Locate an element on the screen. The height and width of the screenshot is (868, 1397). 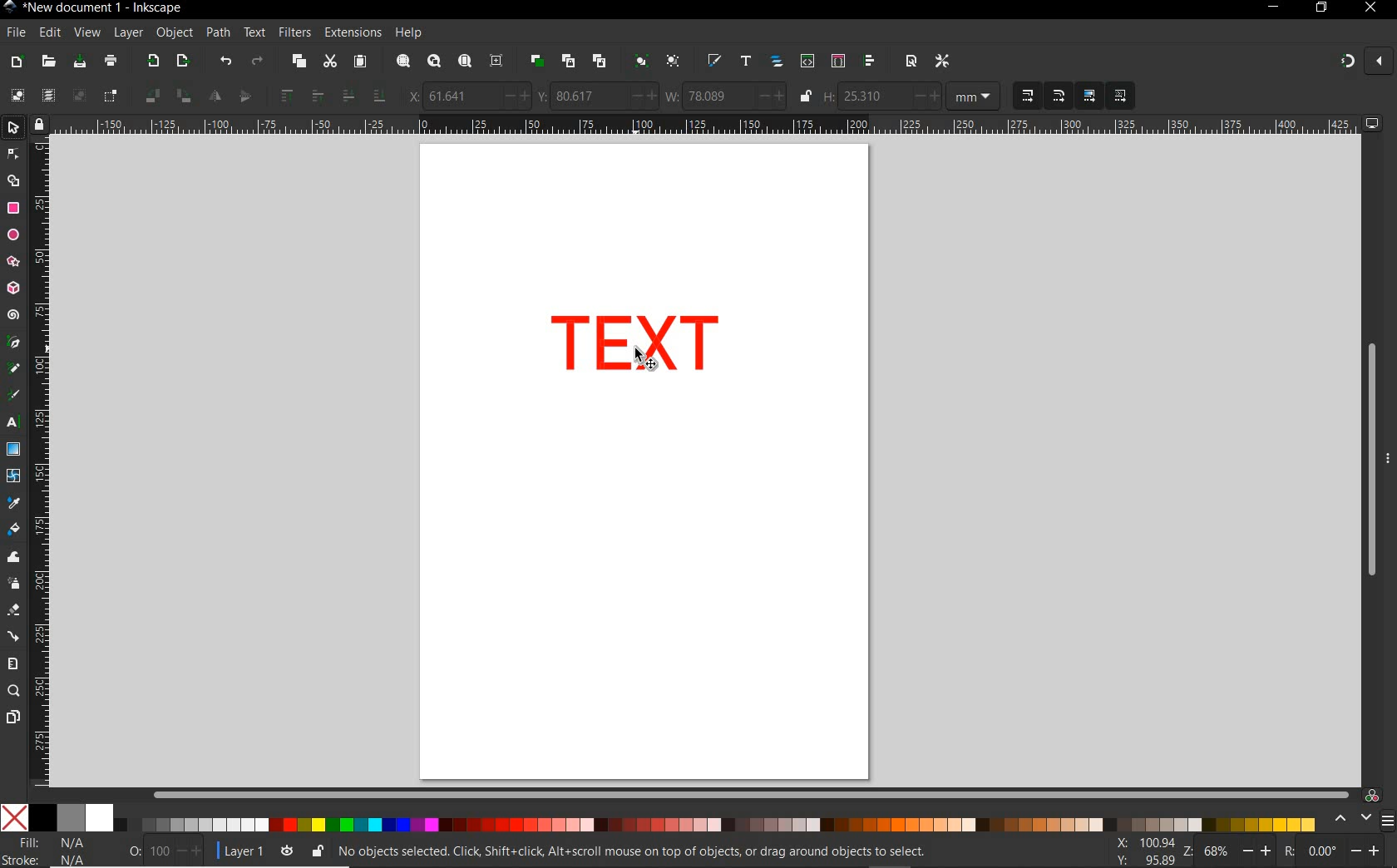
rectangle tool is located at coordinates (13, 208).